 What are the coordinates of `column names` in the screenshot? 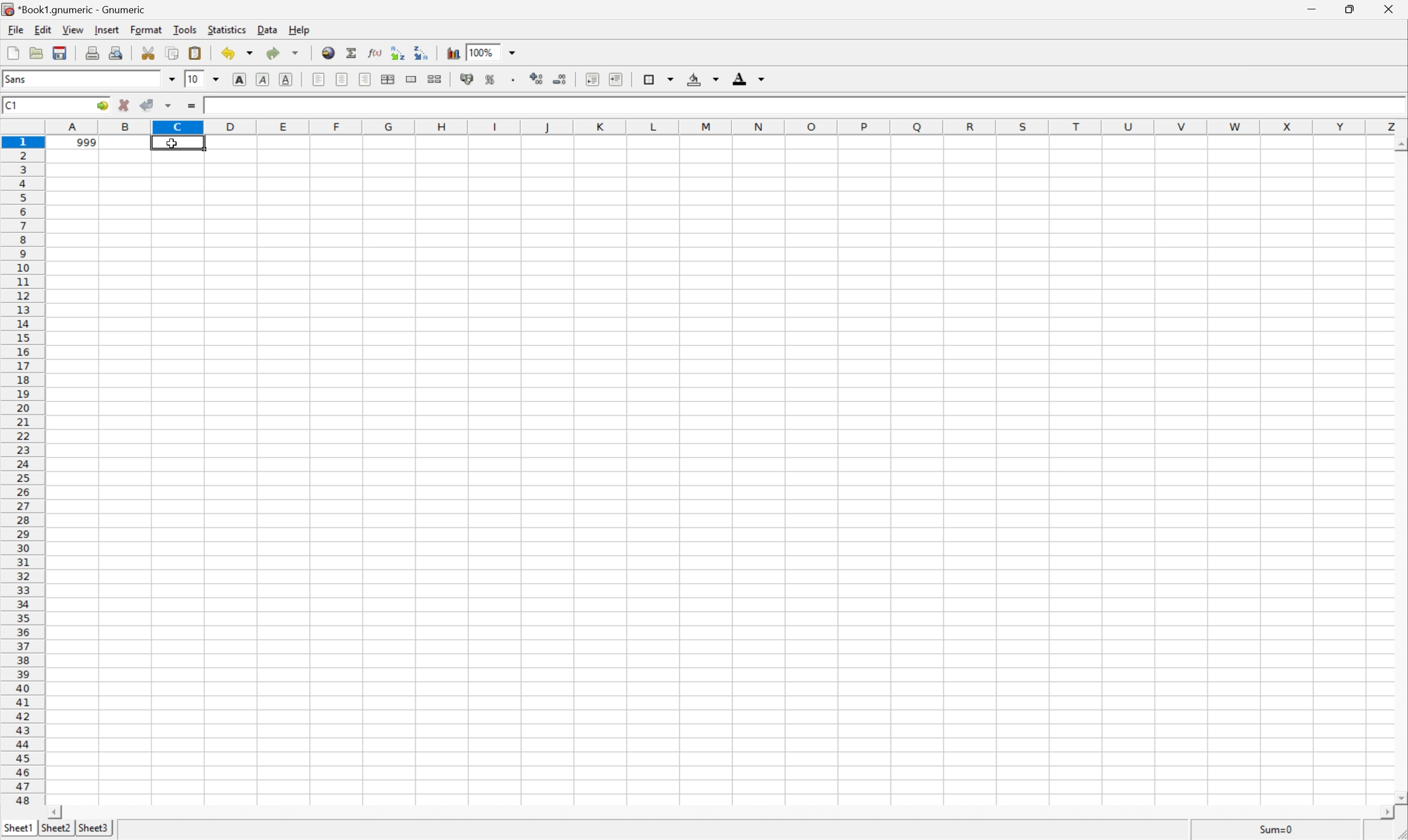 It's located at (729, 127).